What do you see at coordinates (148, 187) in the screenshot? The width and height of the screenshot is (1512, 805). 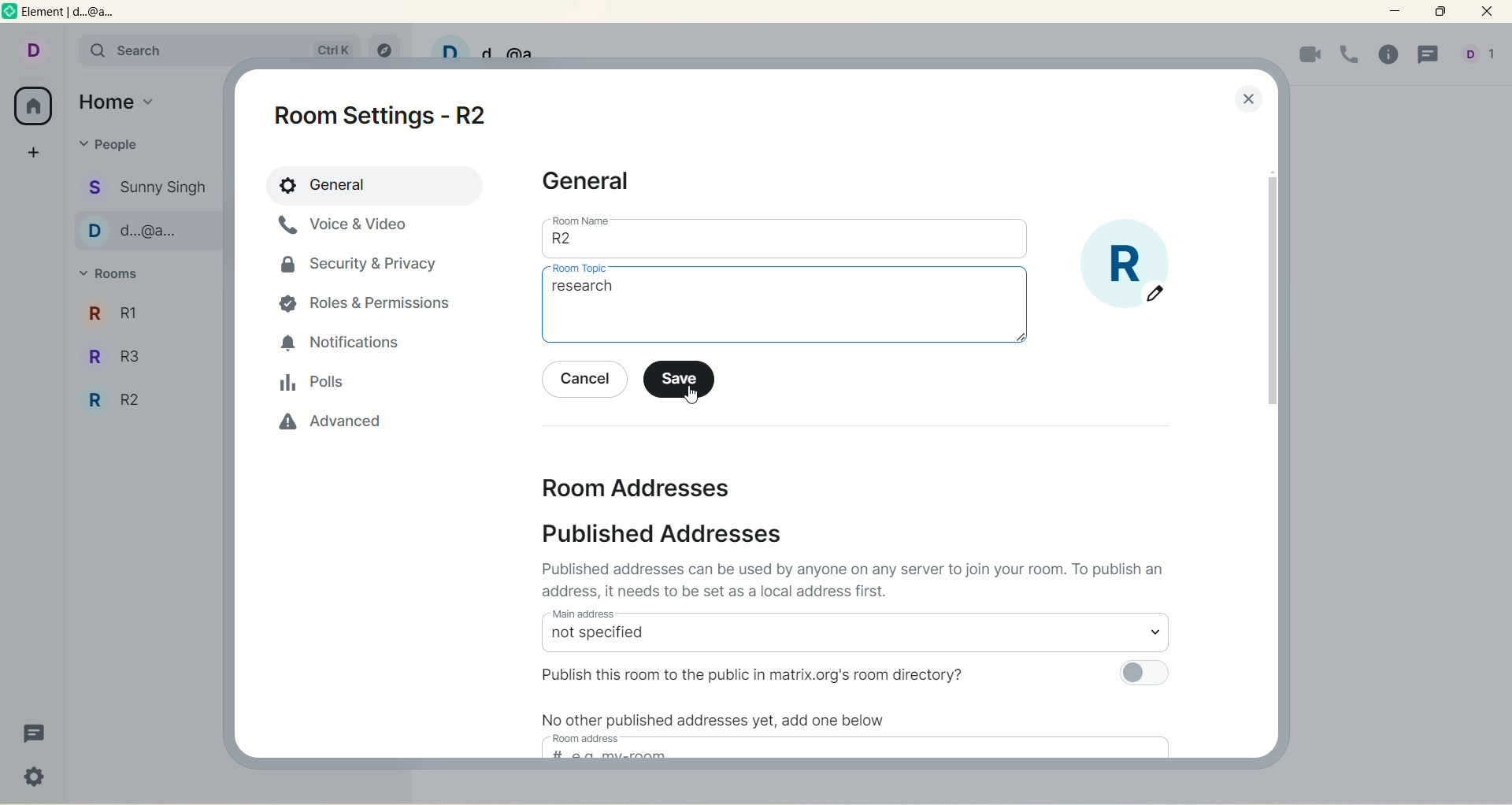 I see `Sunny singh` at bounding box center [148, 187].